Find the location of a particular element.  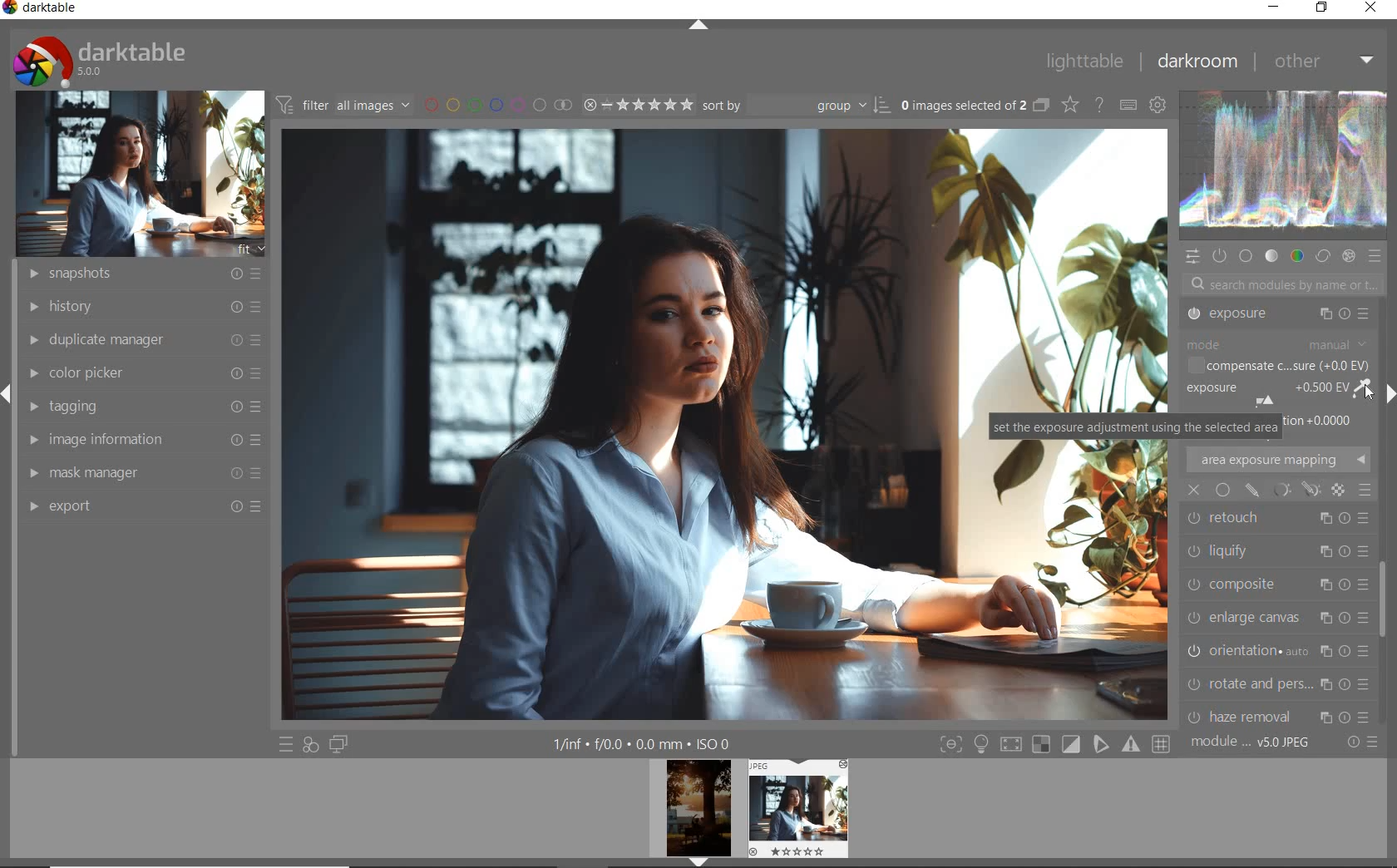

SHOW GLOBAL PREFERENCE is located at coordinates (1159, 105).